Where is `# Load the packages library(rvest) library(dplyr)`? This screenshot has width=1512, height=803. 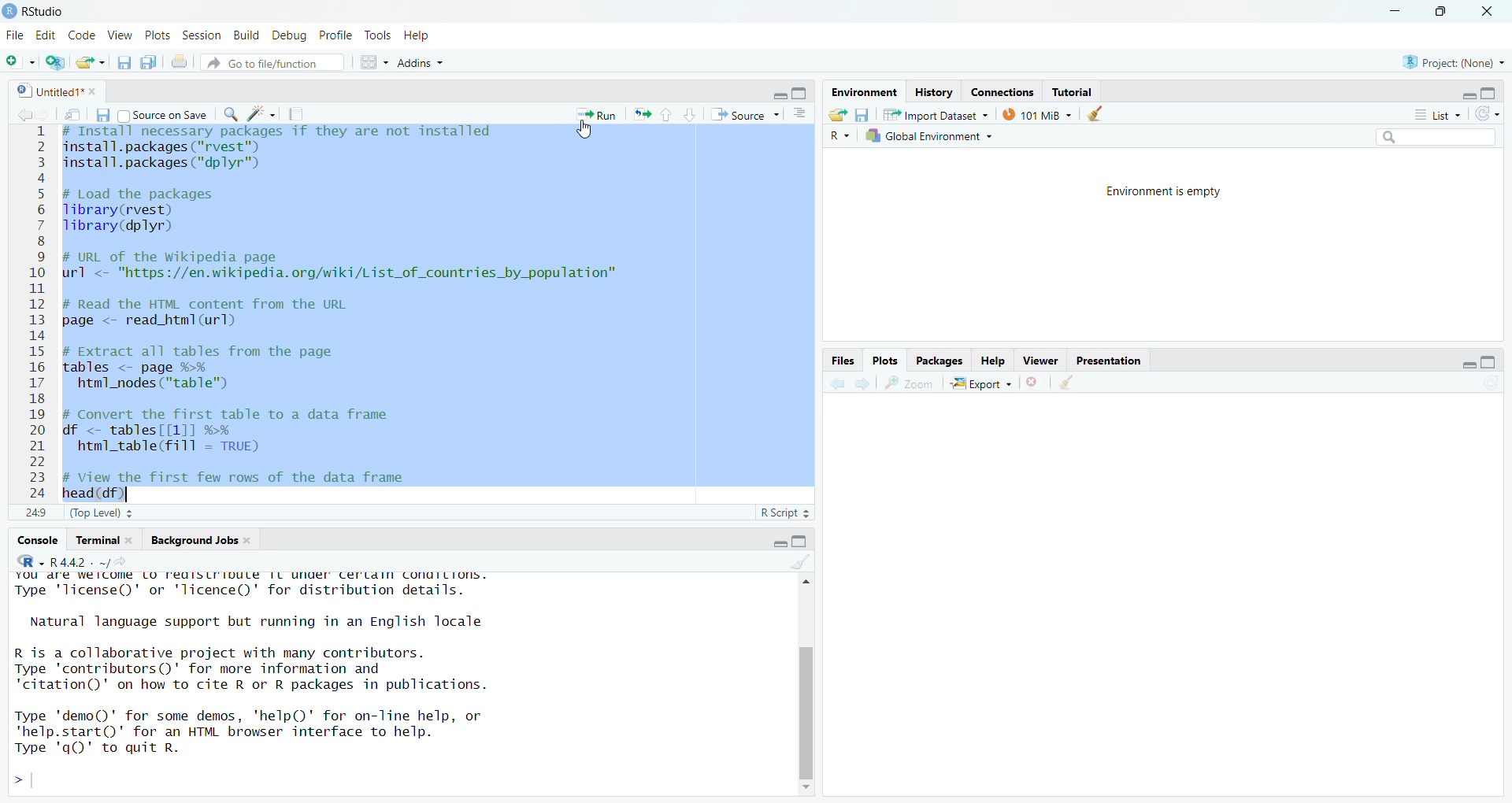
# Load the packages library(rvest) library(dplyr) is located at coordinates (150, 211).